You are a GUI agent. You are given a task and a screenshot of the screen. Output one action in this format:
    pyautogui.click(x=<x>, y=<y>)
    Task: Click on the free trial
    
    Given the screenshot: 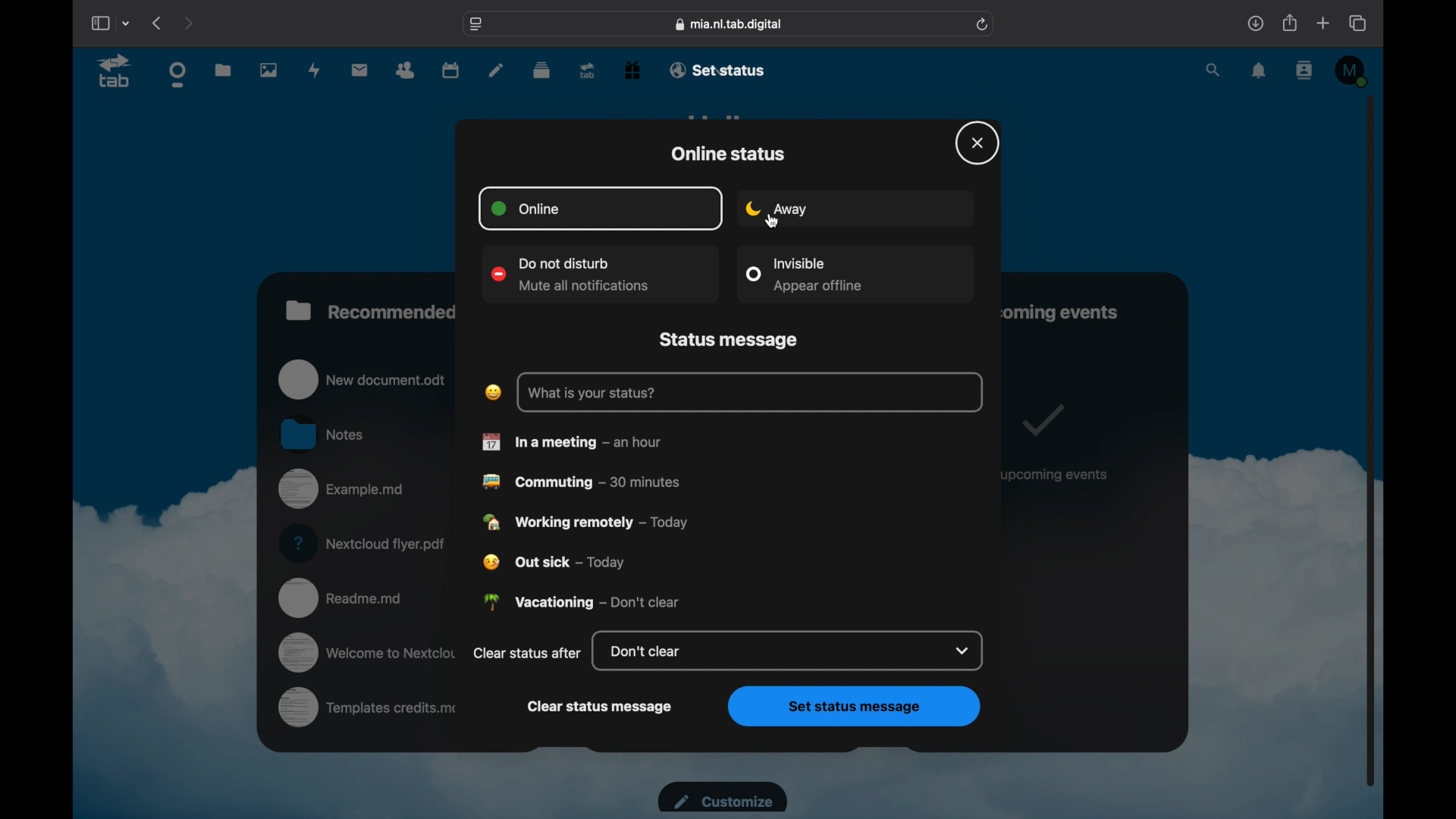 What is the action you would take?
    pyautogui.click(x=632, y=69)
    